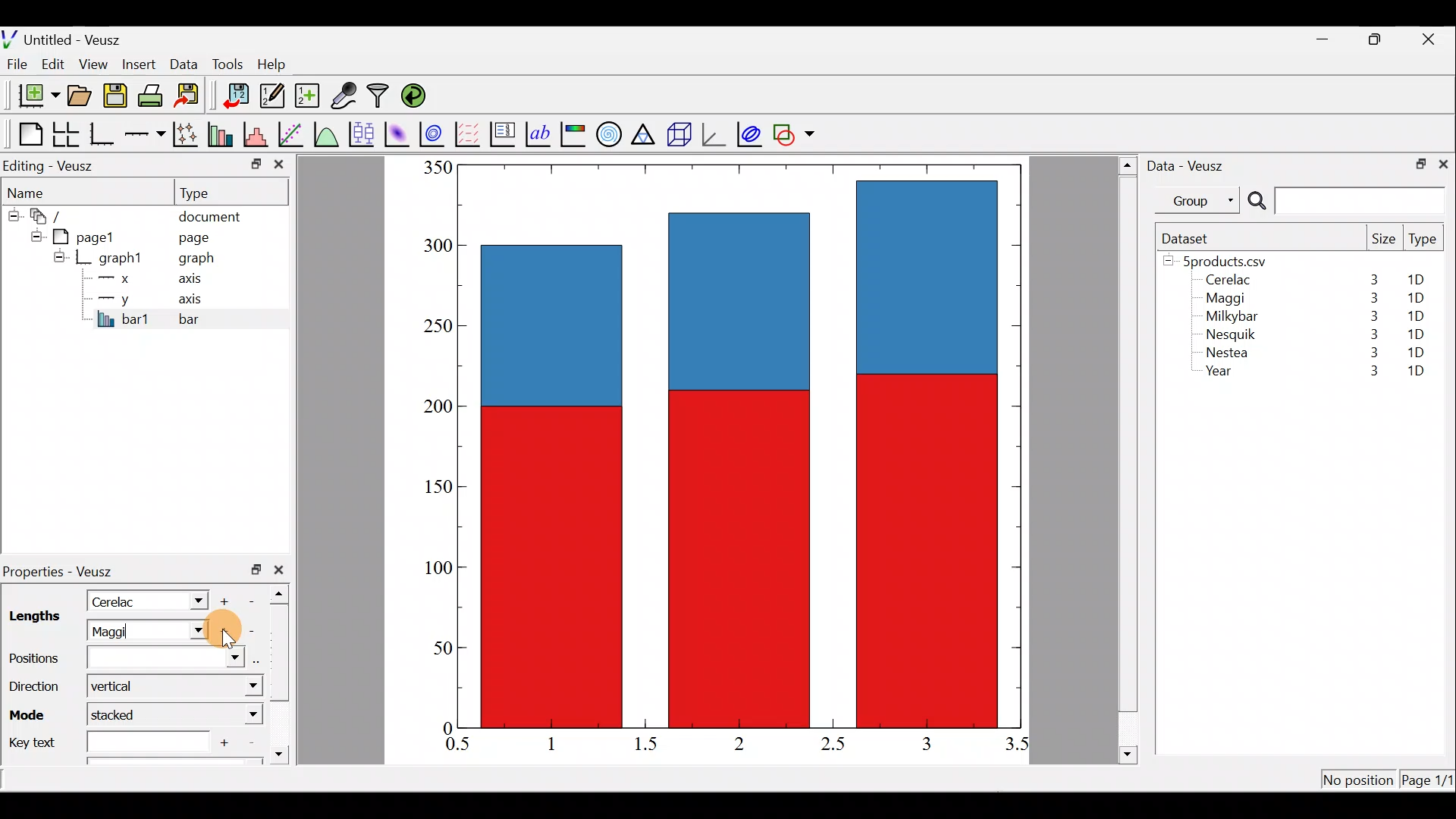  I want to click on Mode, so click(31, 712).